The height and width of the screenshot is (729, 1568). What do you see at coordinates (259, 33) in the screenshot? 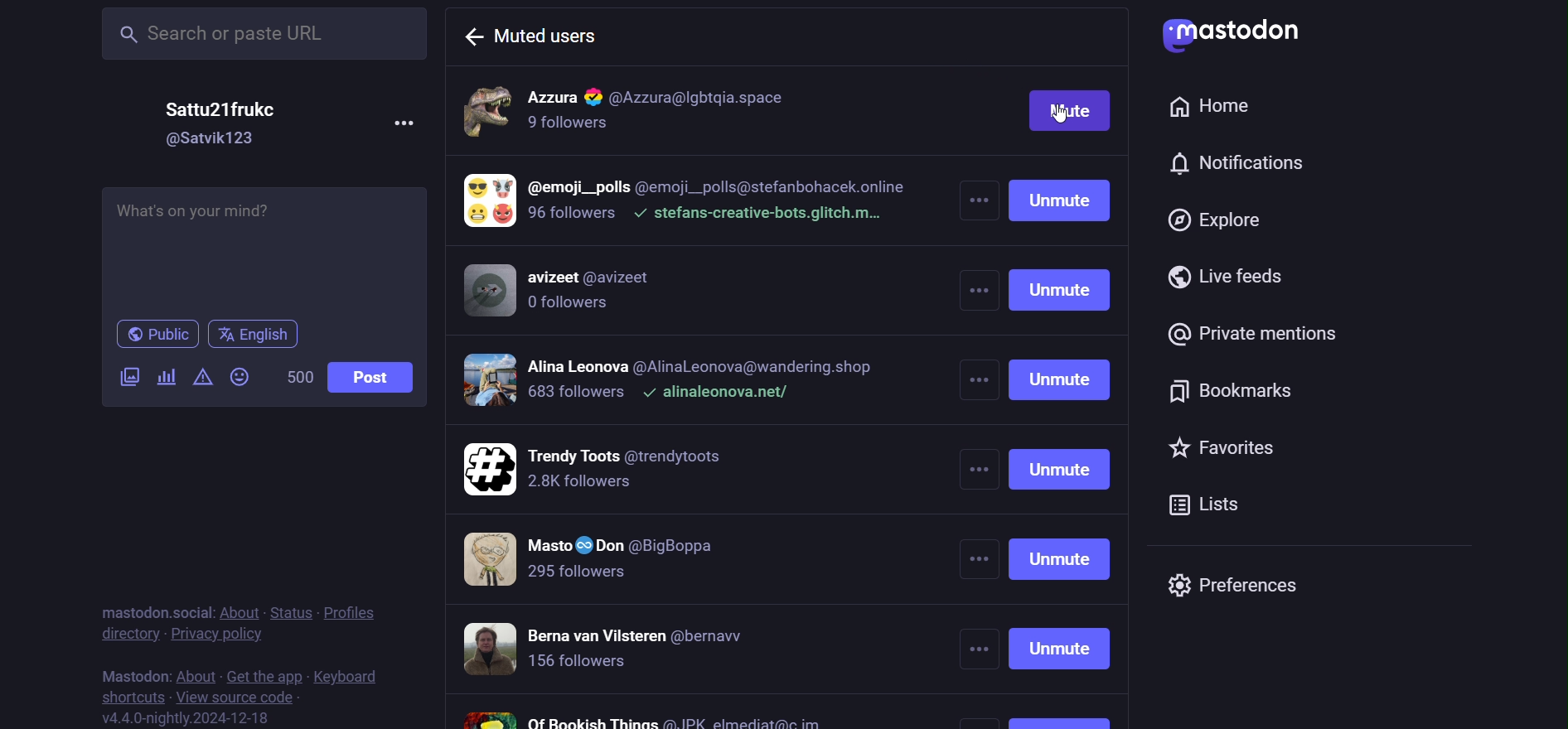
I see `search` at bounding box center [259, 33].